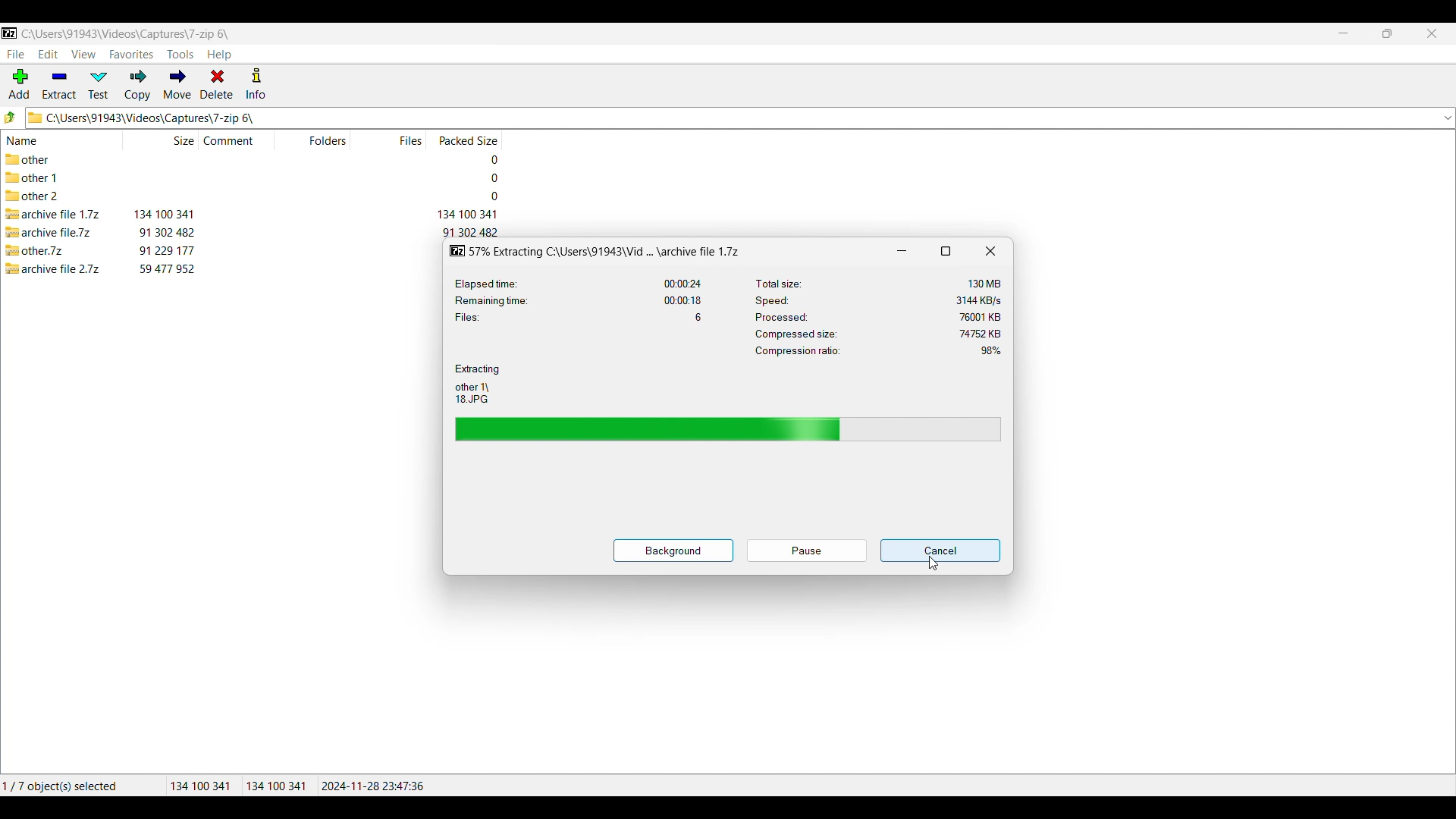 The image size is (1456, 819). I want to click on Go to previous folder, so click(11, 117).